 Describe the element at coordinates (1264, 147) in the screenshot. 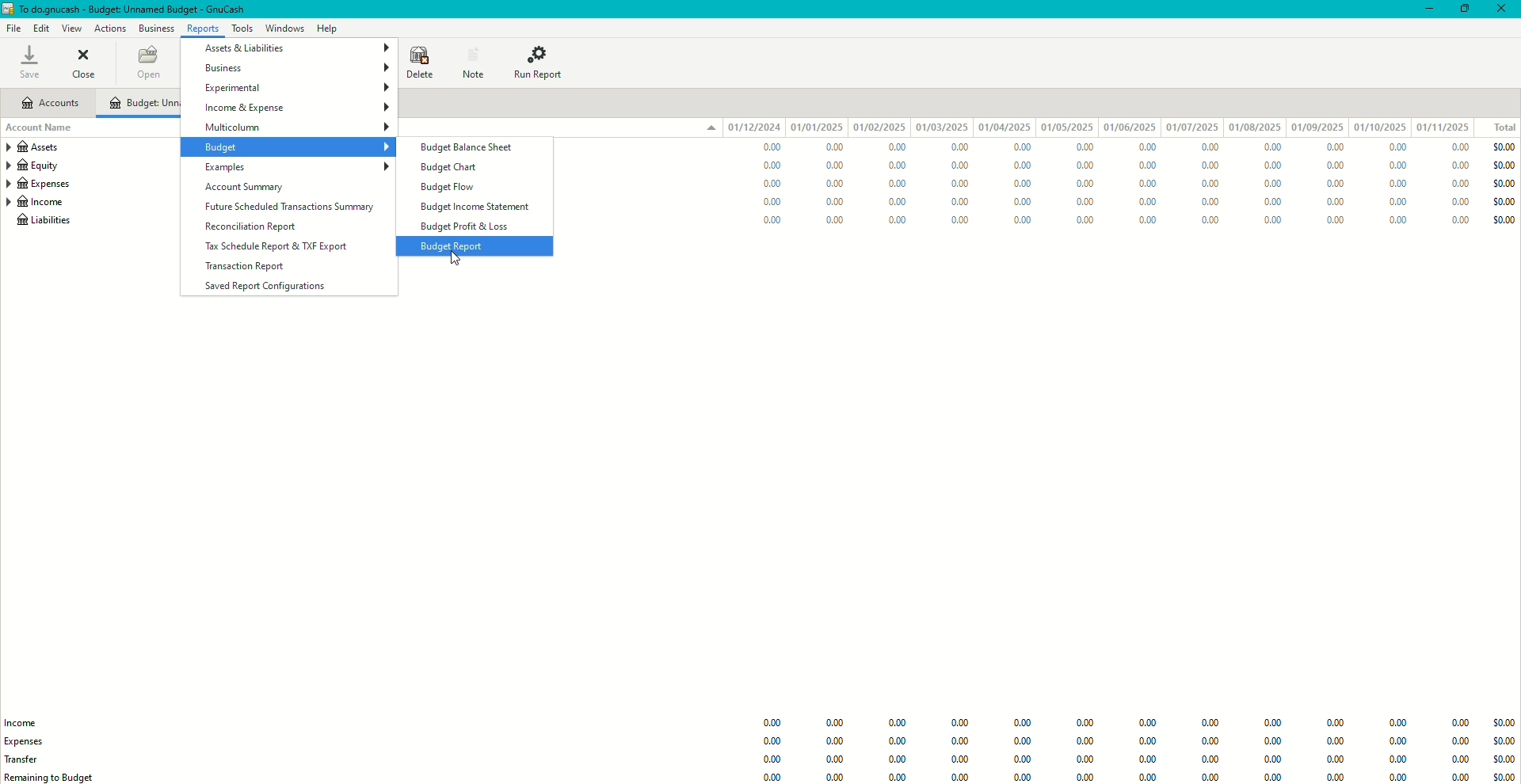

I see `0.00` at that location.